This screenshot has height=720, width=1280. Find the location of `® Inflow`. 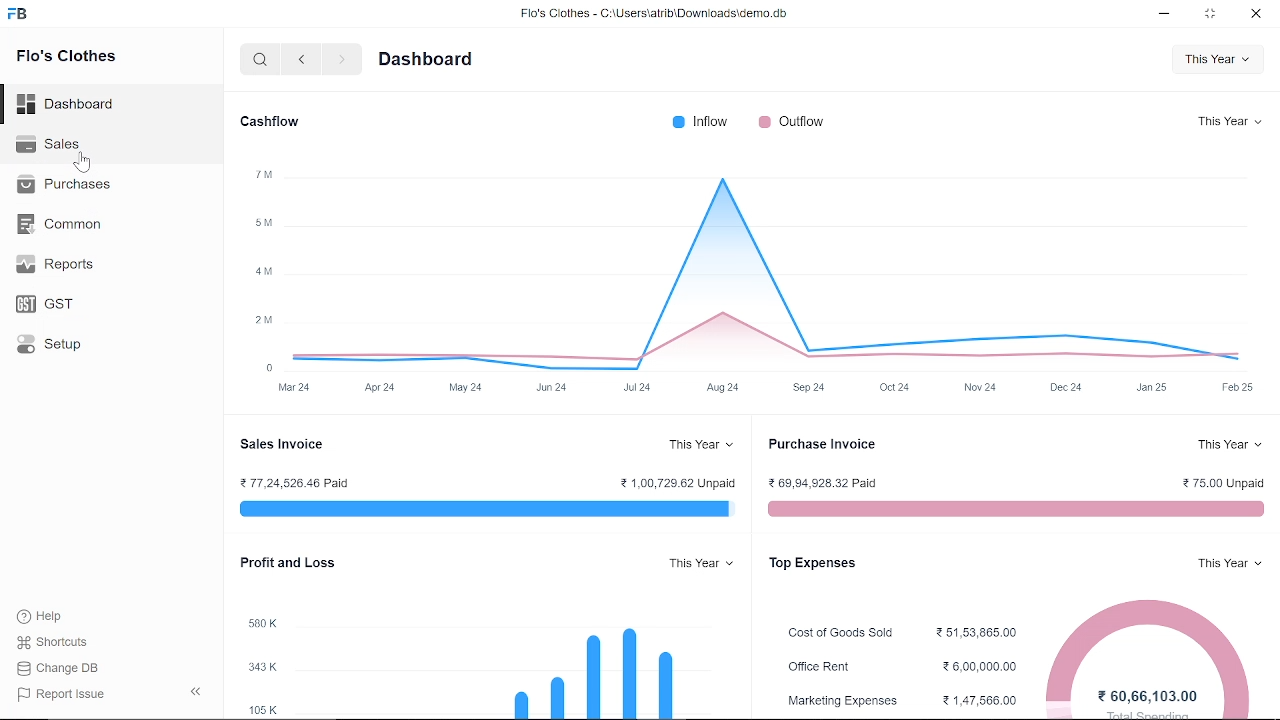

® Inflow is located at coordinates (695, 122).